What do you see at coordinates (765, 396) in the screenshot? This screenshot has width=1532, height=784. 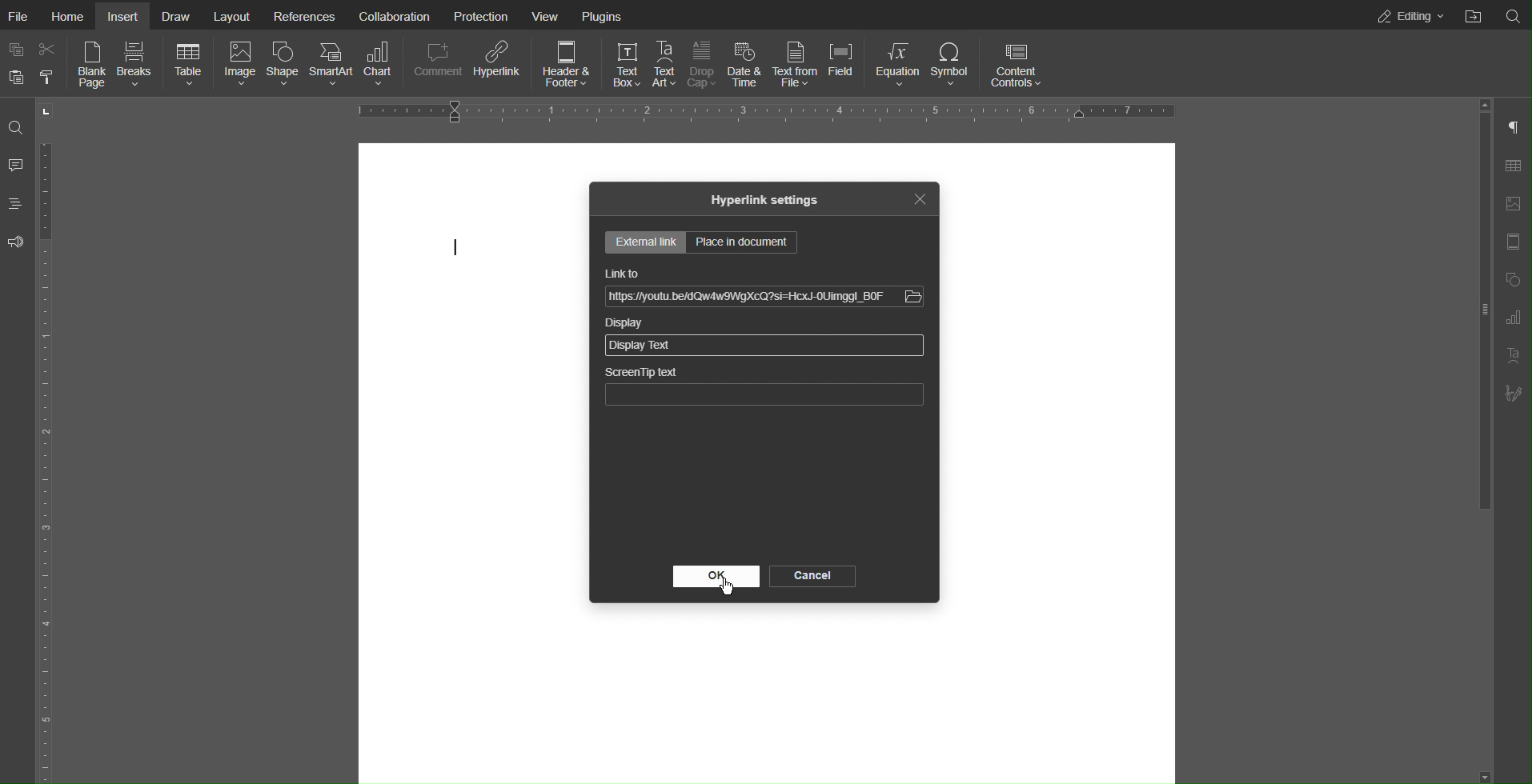 I see `ScreenTip text bar` at bounding box center [765, 396].